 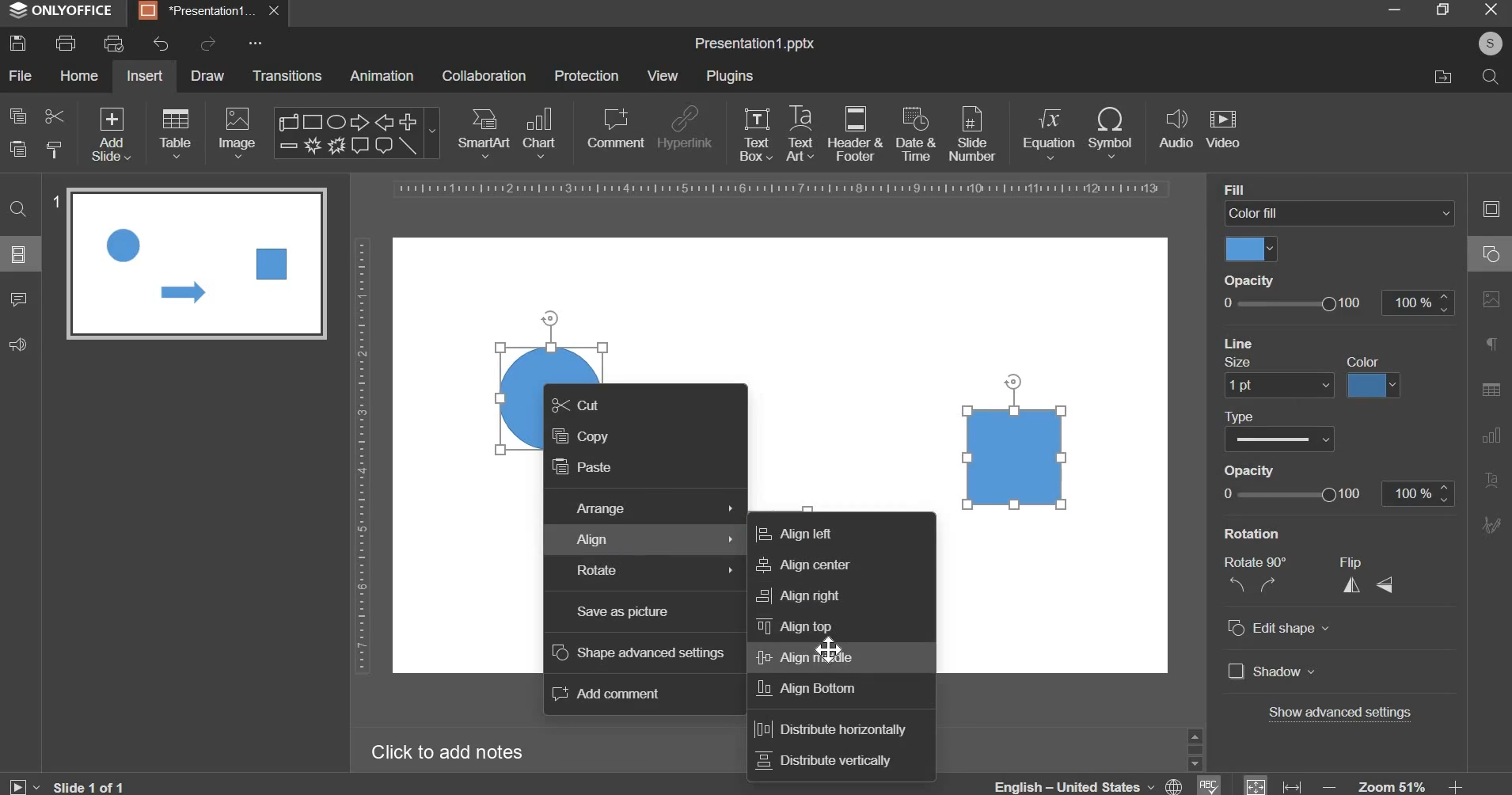 What do you see at coordinates (382, 75) in the screenshot?
I see `animation` at bounding box center [382, 75].